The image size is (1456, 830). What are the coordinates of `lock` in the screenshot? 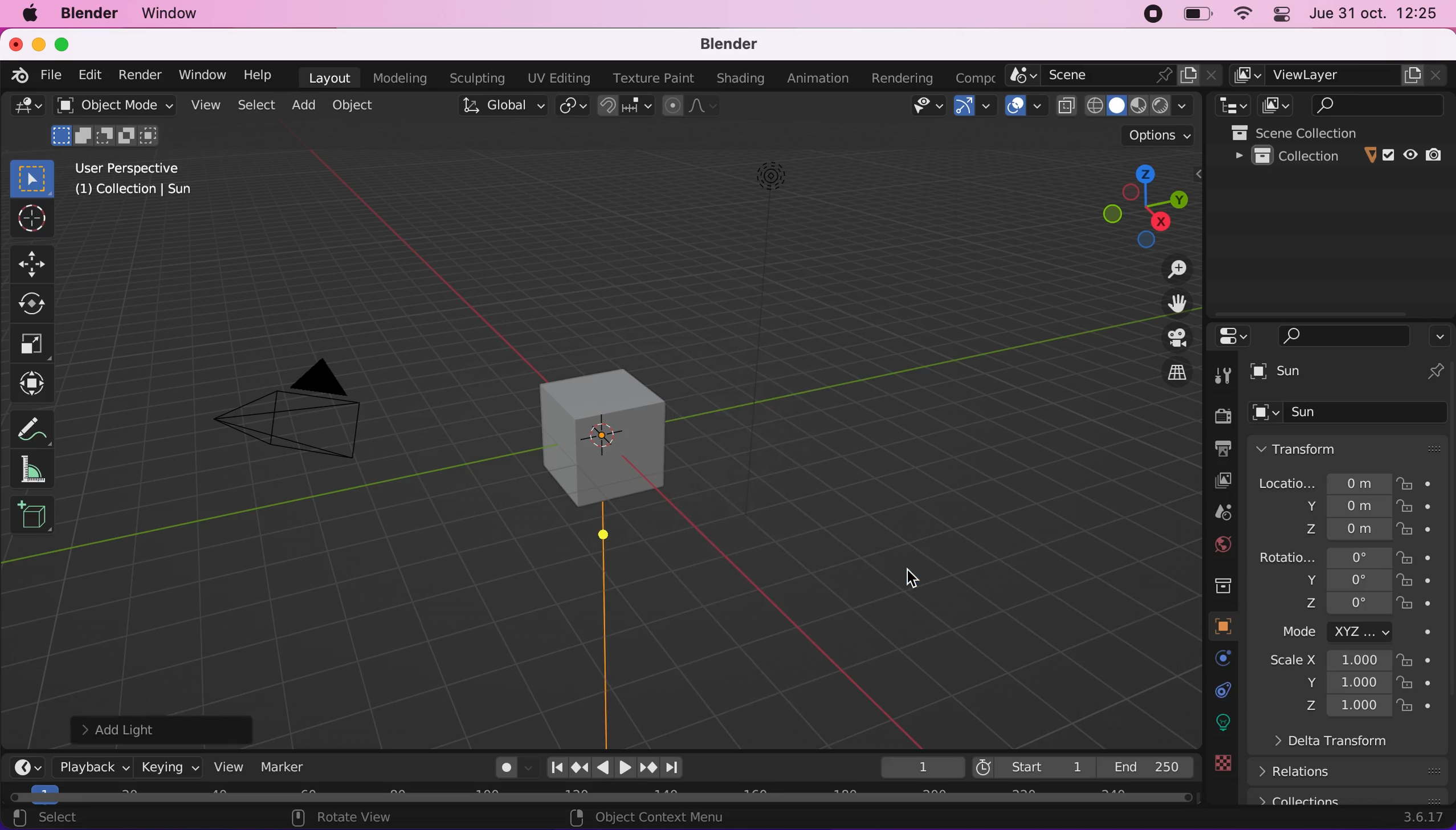 It's located at (1427, 605).